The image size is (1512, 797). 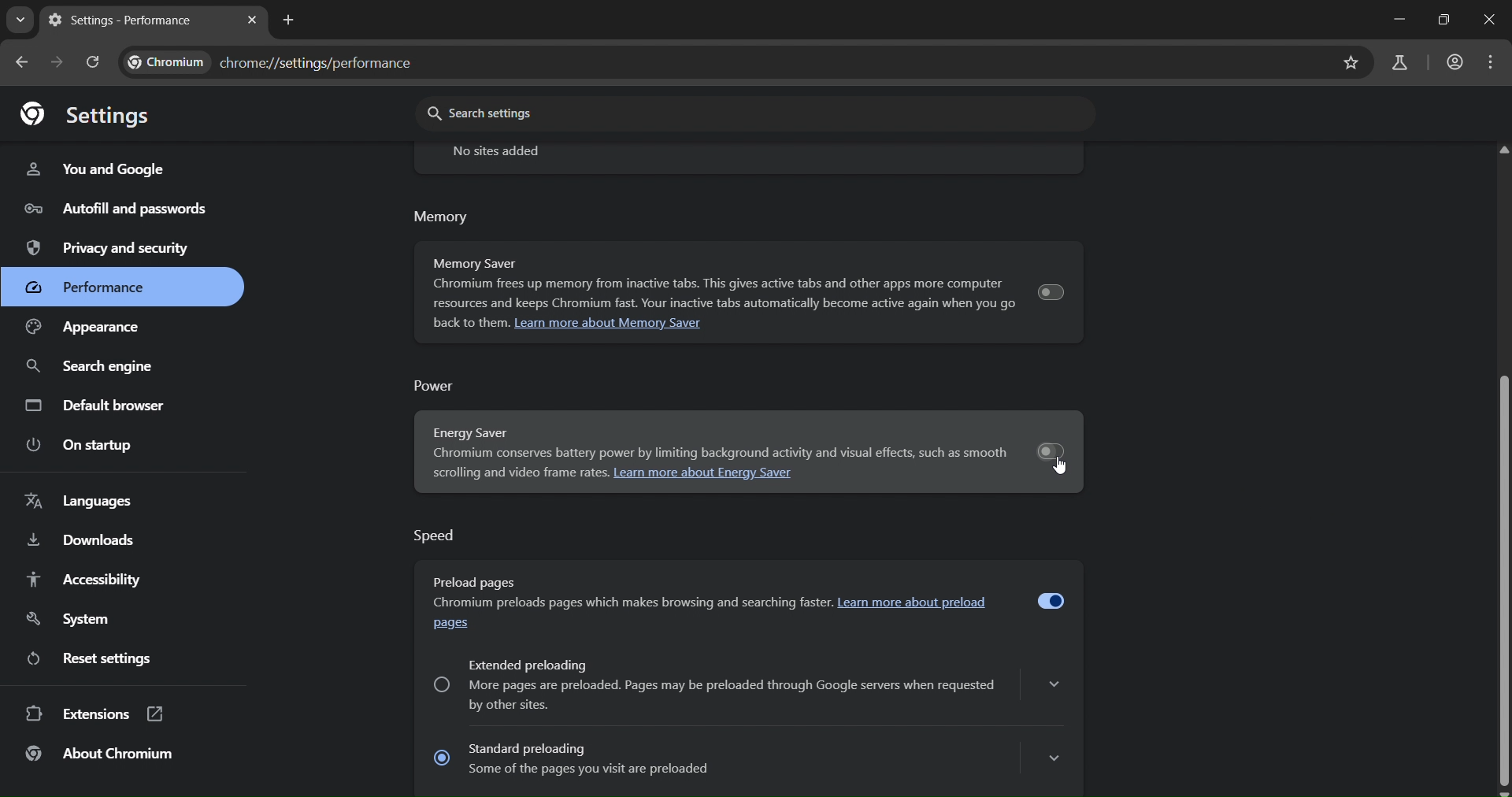 What do you see at coordinates (529, 114) in the screenshot?
I see `search settings` at bounding box center [529, 114].